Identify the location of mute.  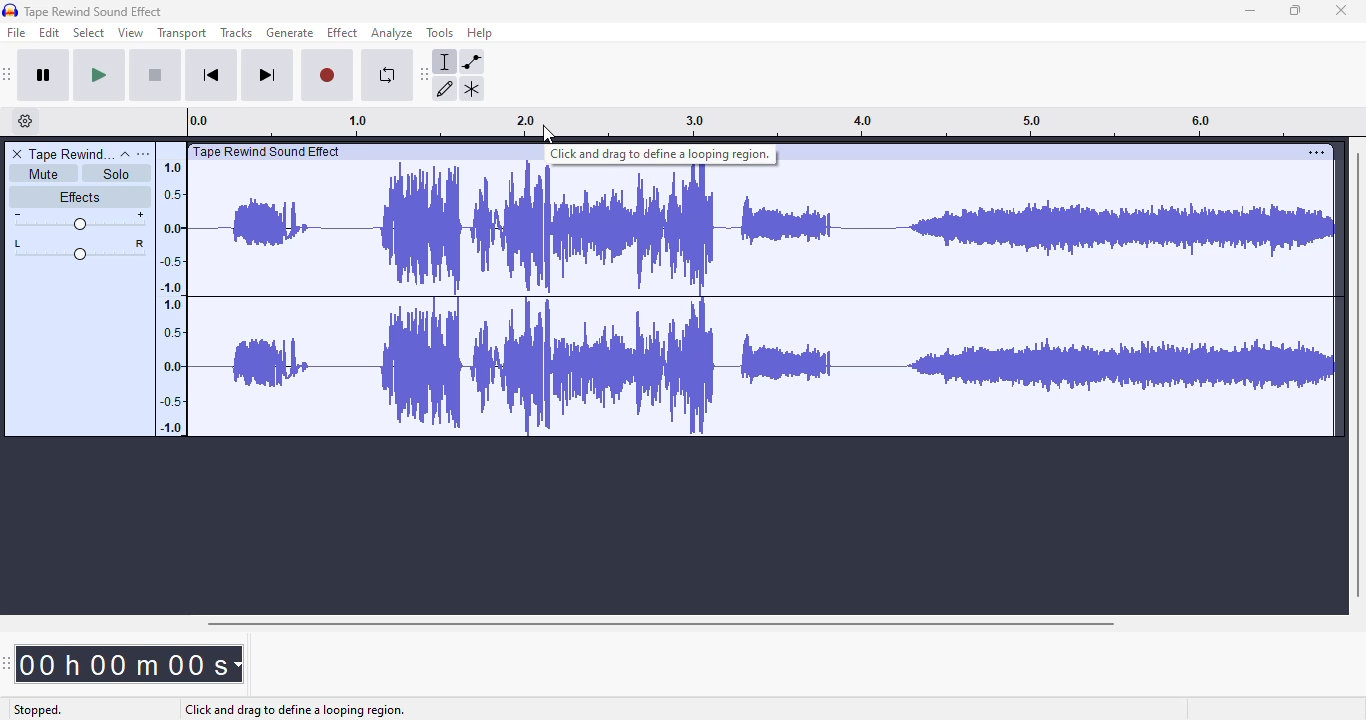
(39, 173).